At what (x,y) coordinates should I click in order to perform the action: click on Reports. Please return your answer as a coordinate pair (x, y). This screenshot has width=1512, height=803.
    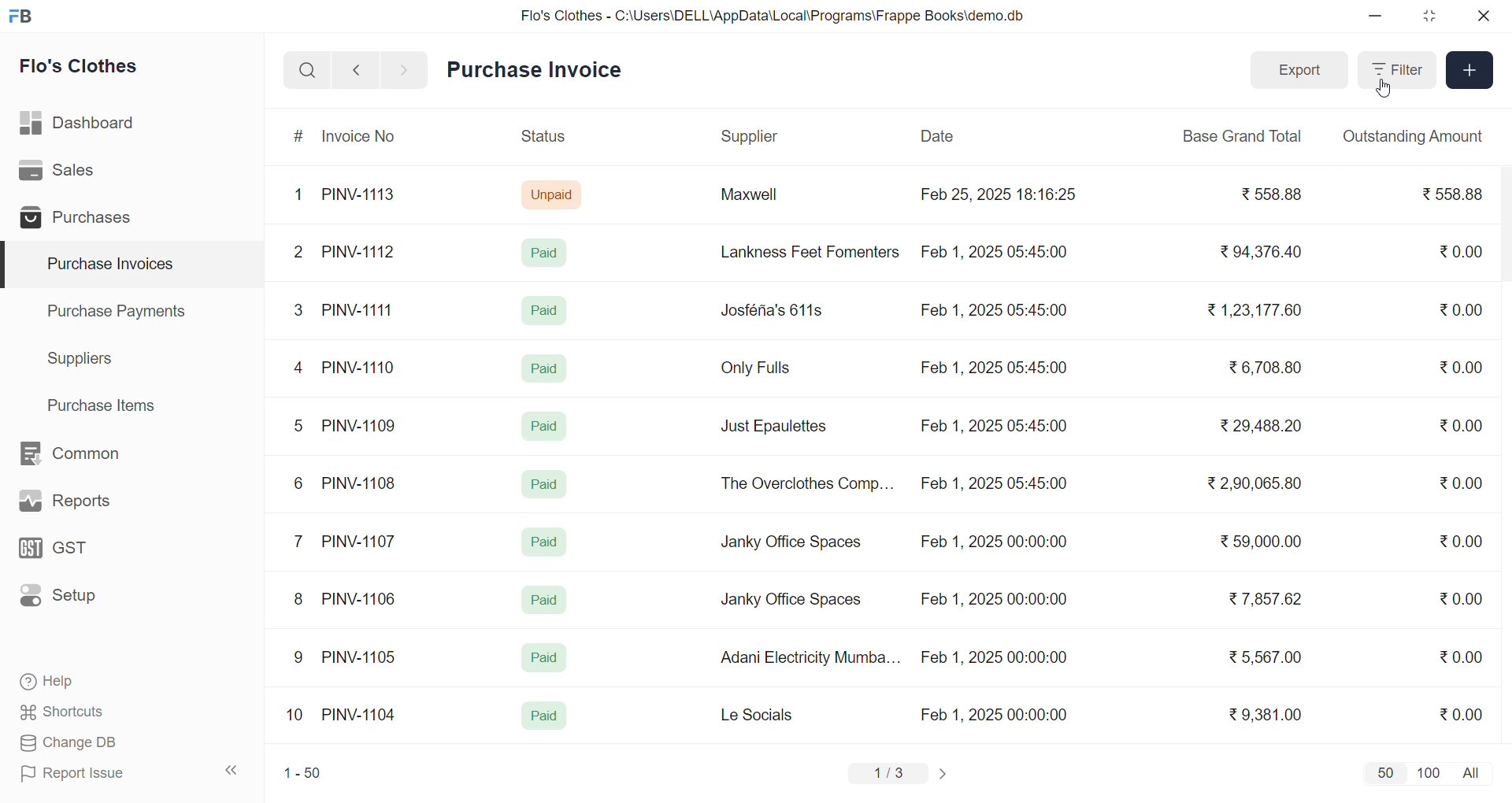
    Looking at the image, I should click on (83, 505).